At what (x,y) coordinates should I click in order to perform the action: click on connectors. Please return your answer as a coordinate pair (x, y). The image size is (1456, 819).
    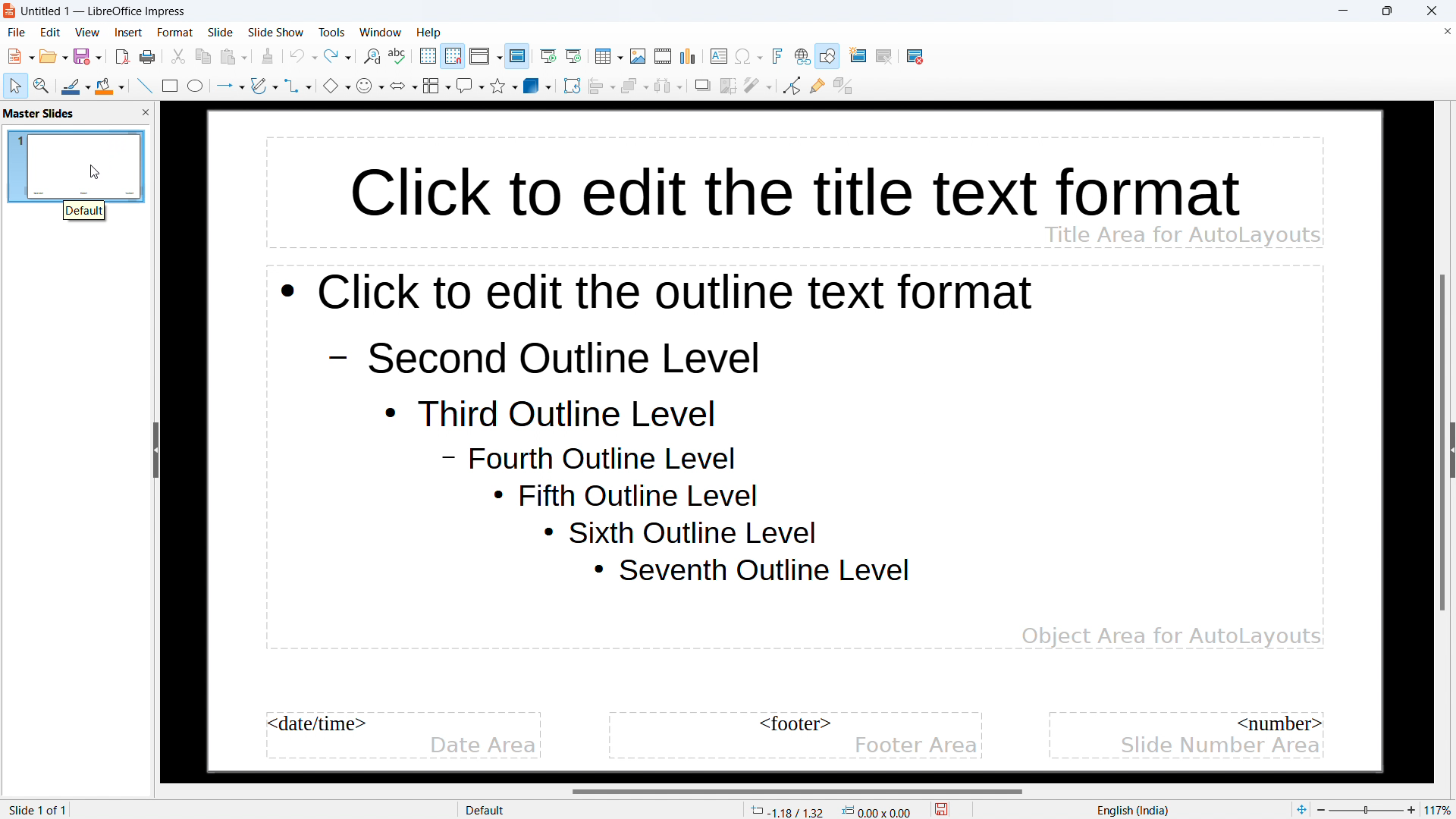
    Looking at the image, I should click on (300, 85).